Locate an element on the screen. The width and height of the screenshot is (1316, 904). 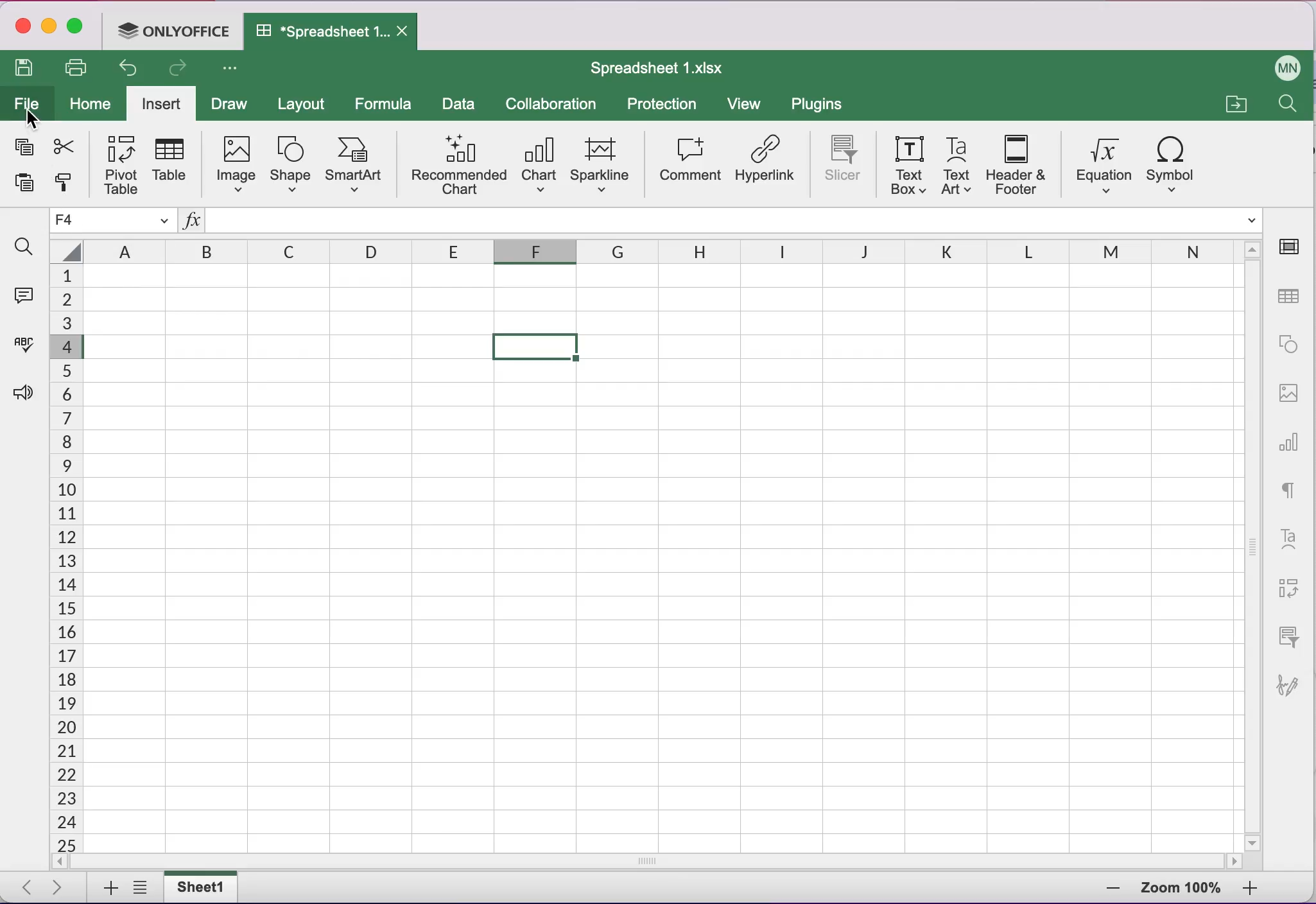
sparkline is located at coordinates (603, 162).